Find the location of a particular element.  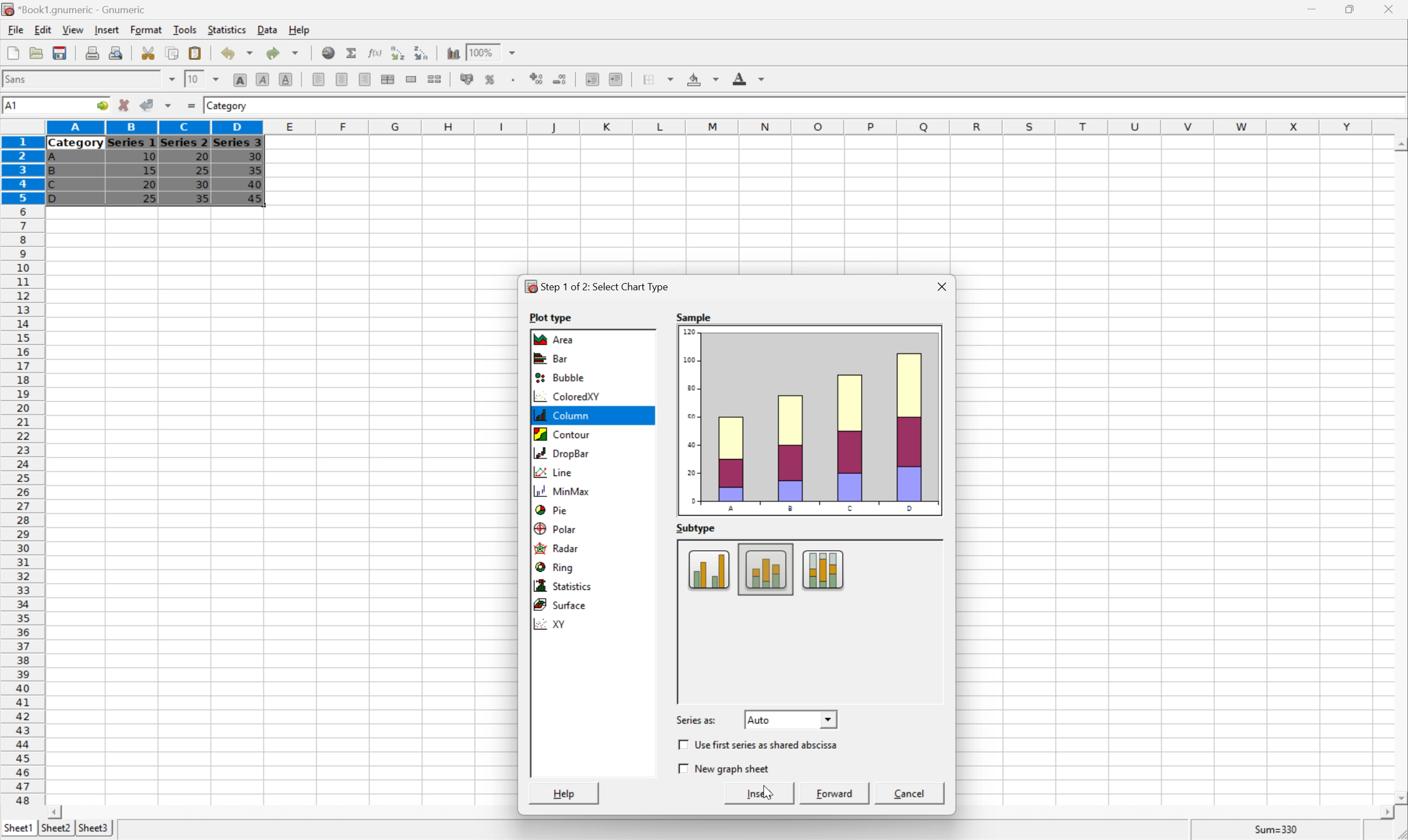

*Book1.gnumeric - Gnumeric is located at coordinates (75, 8).